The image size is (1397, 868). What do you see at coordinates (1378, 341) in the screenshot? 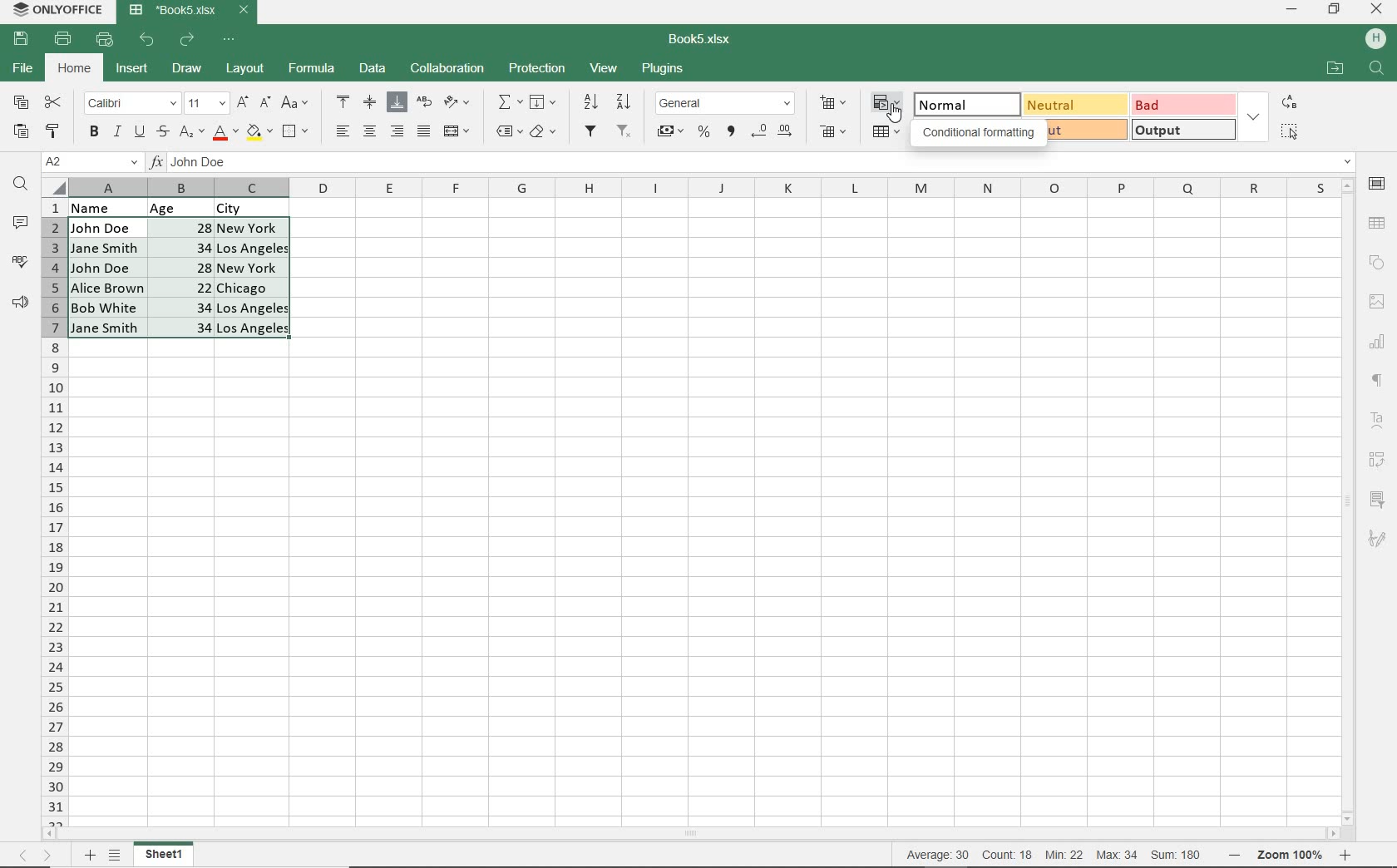
I see `CHART` at bounding box center [1378, 341].